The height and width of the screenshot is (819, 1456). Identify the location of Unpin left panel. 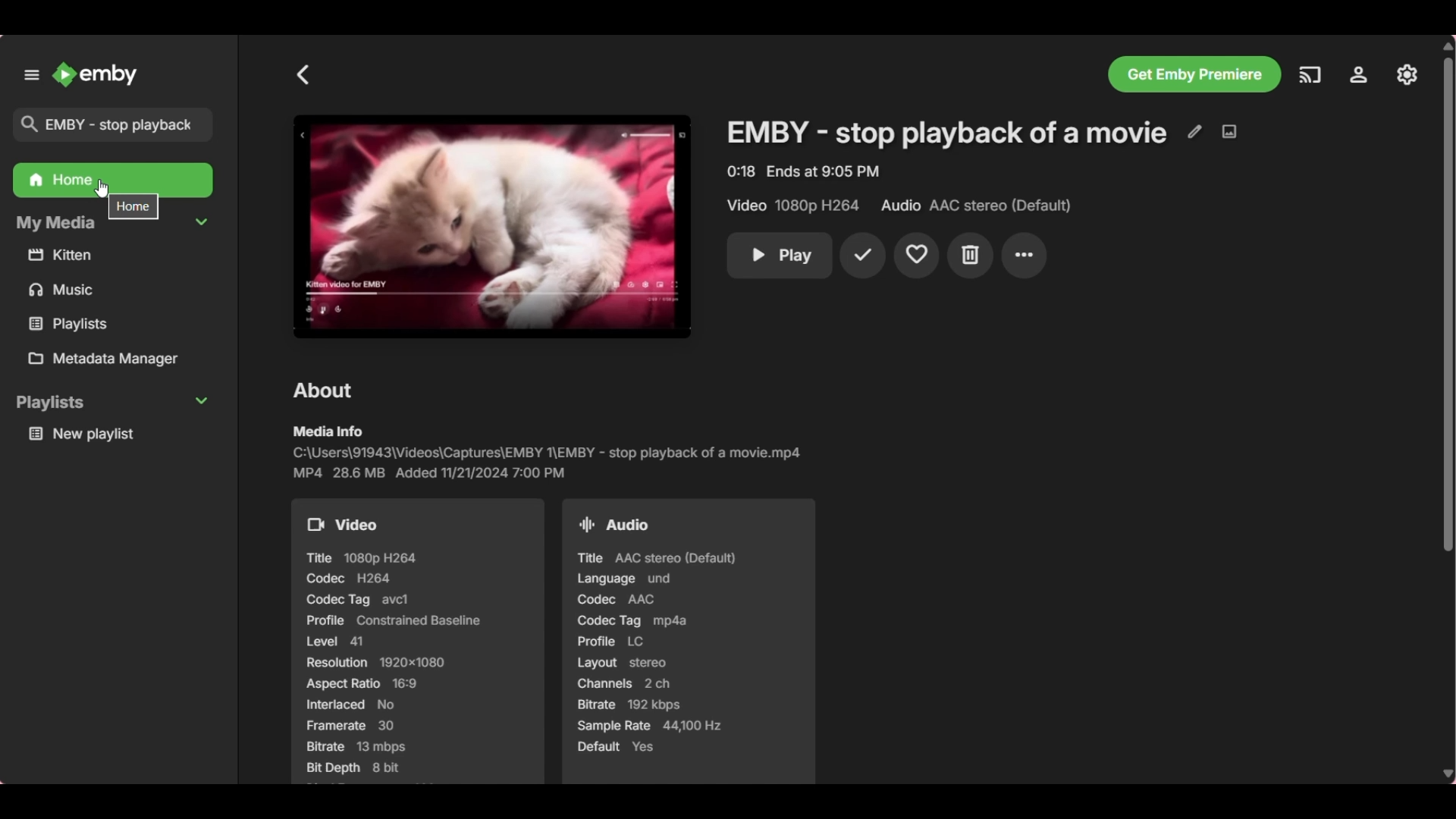
(31, 75).